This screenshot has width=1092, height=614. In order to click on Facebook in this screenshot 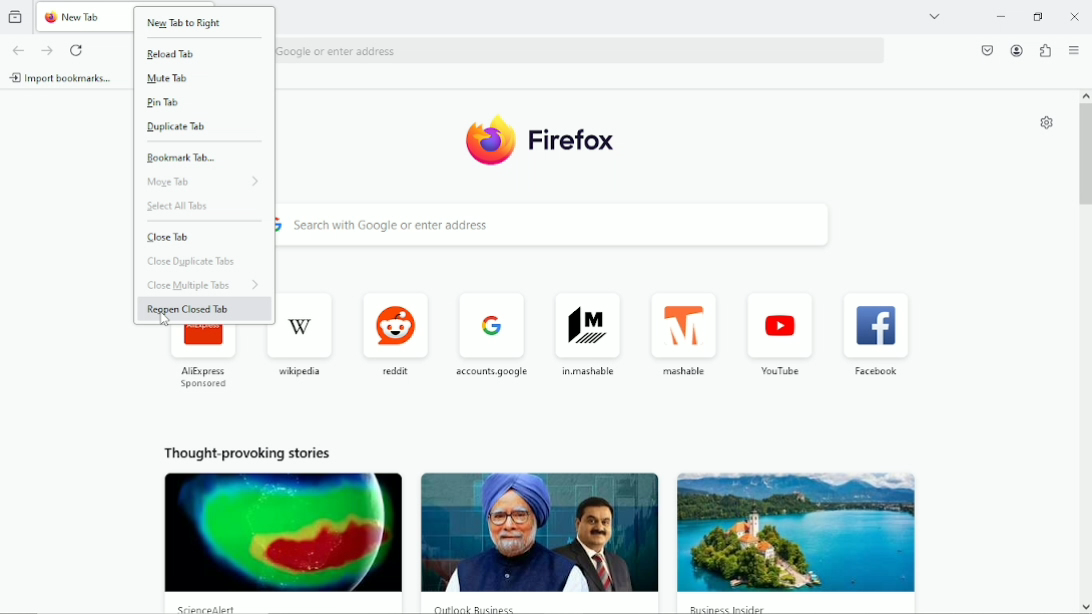, I will do `click(876, 337)`.